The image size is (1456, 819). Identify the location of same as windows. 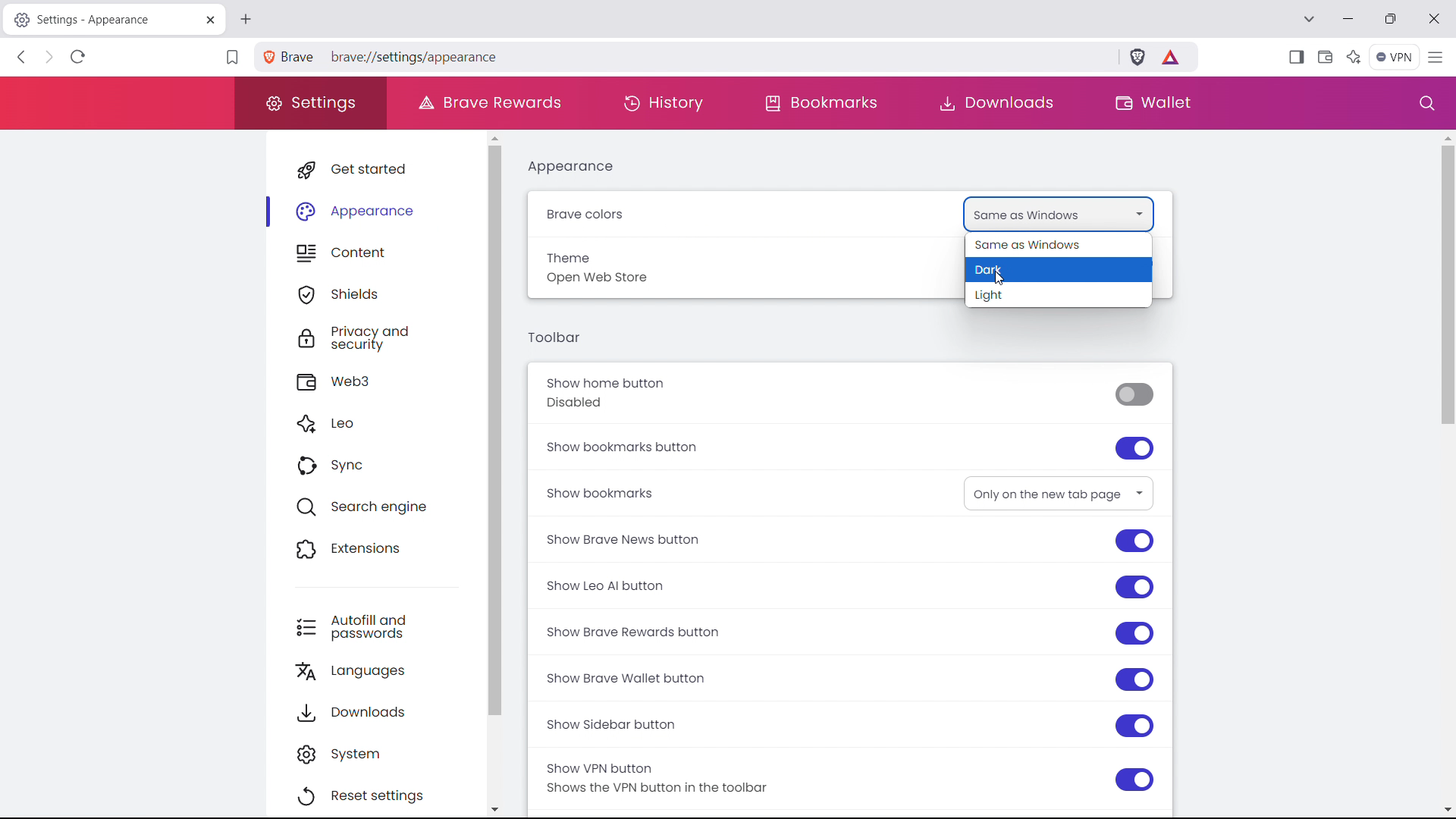
(1059, 243).